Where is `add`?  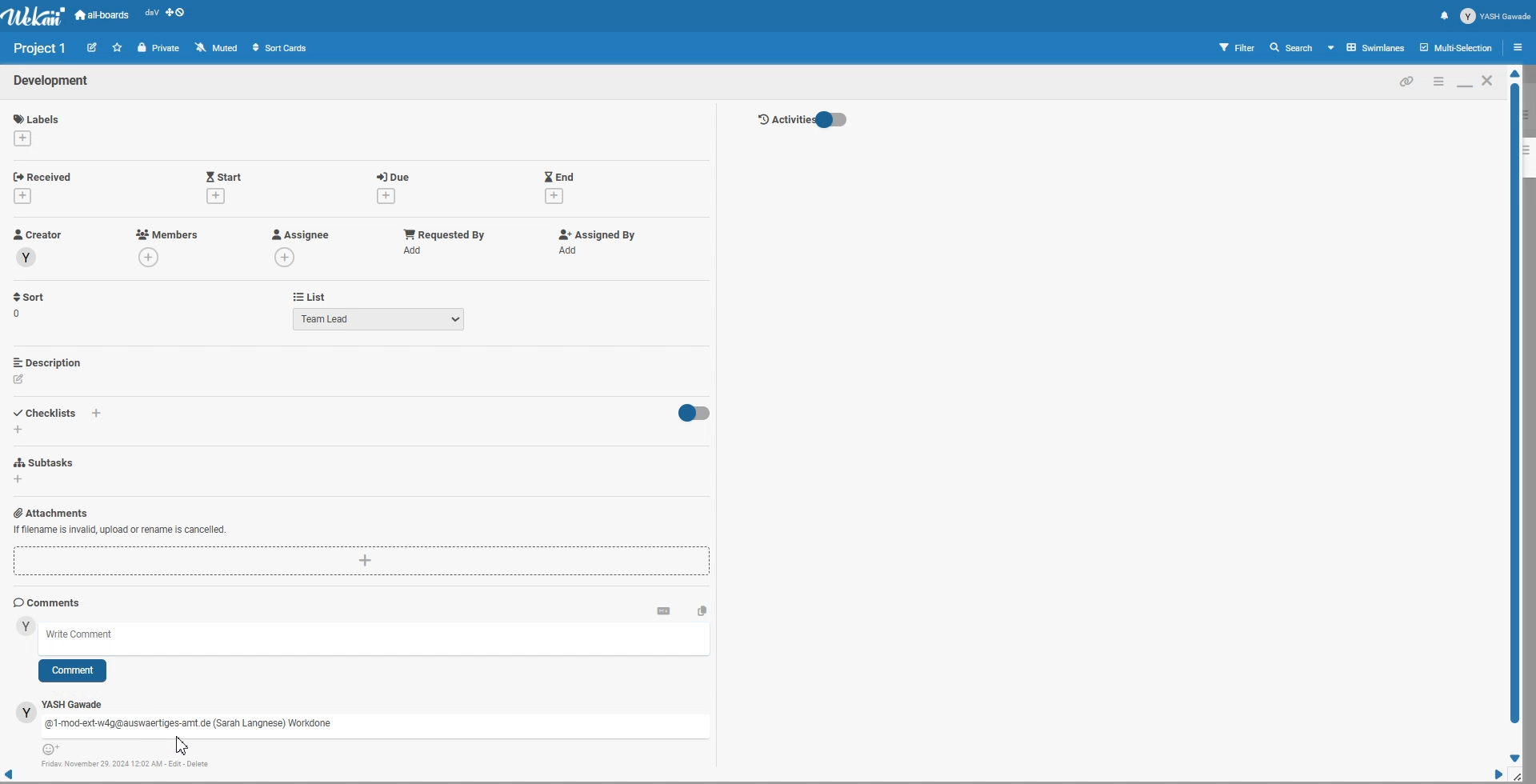
add is located at coordinates (286, 257).